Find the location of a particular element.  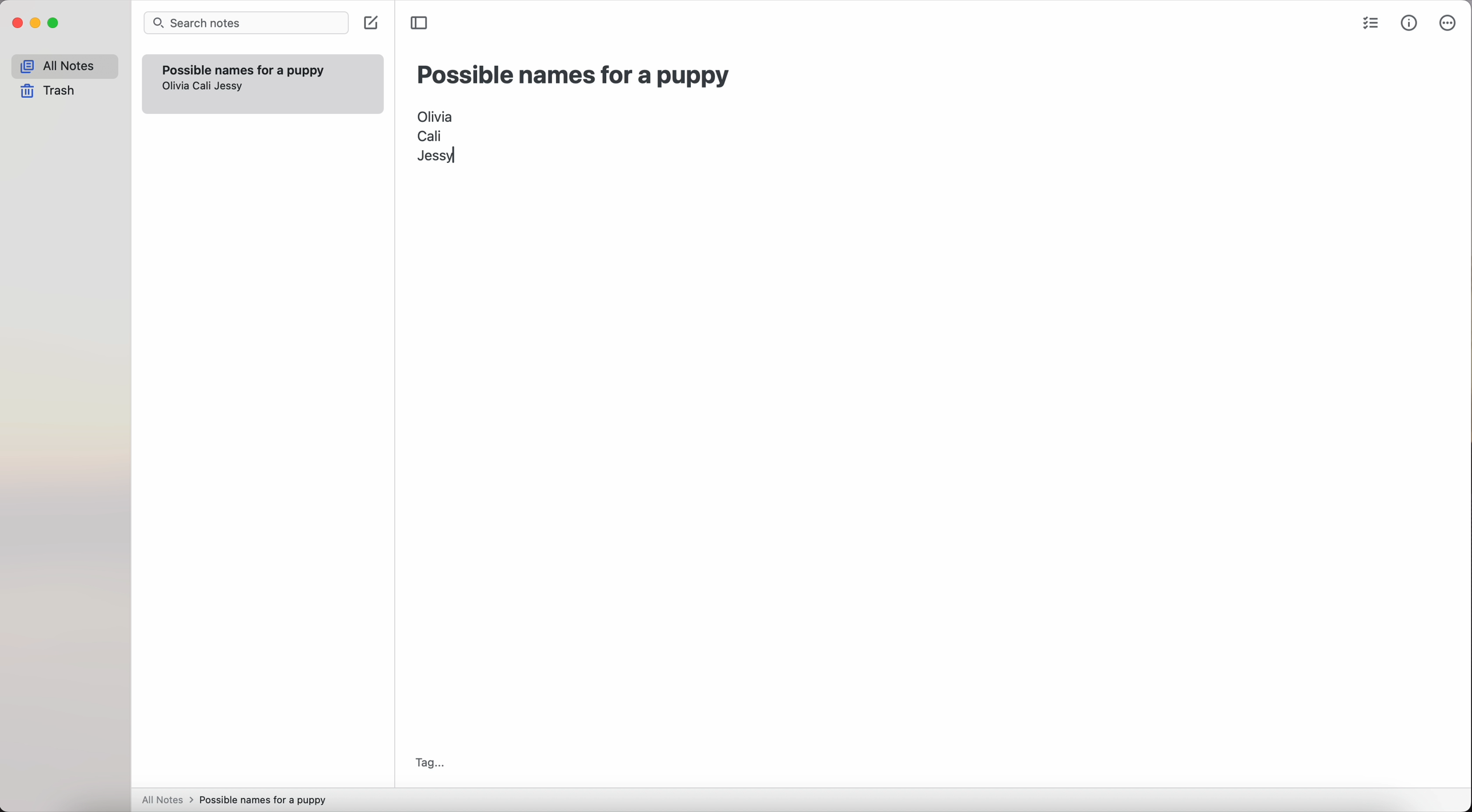

all notes is located at coordinates (65, 66).